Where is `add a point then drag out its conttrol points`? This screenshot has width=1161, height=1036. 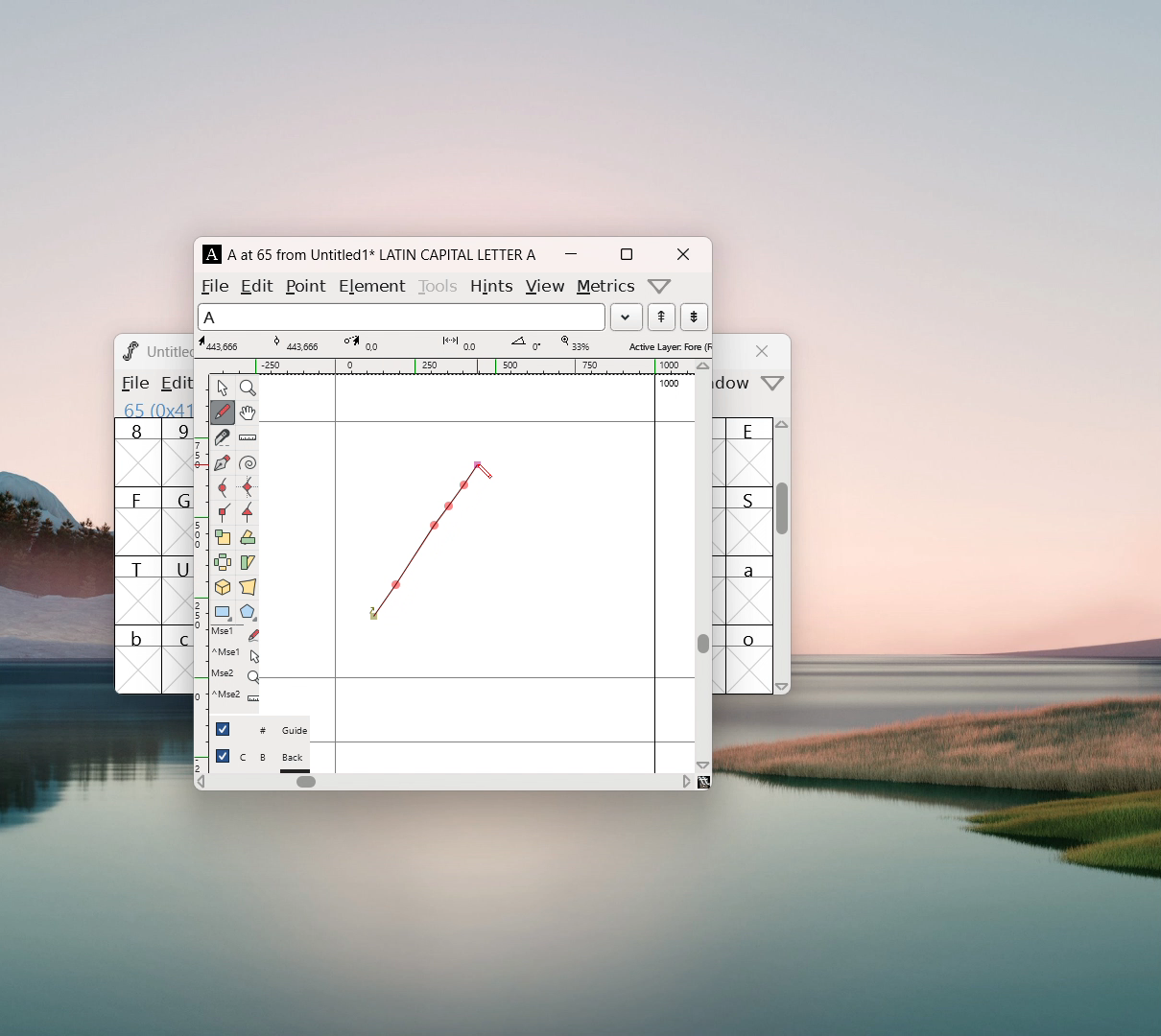 add a point then drag out its conttrol points is located at coordinates (222, 464).